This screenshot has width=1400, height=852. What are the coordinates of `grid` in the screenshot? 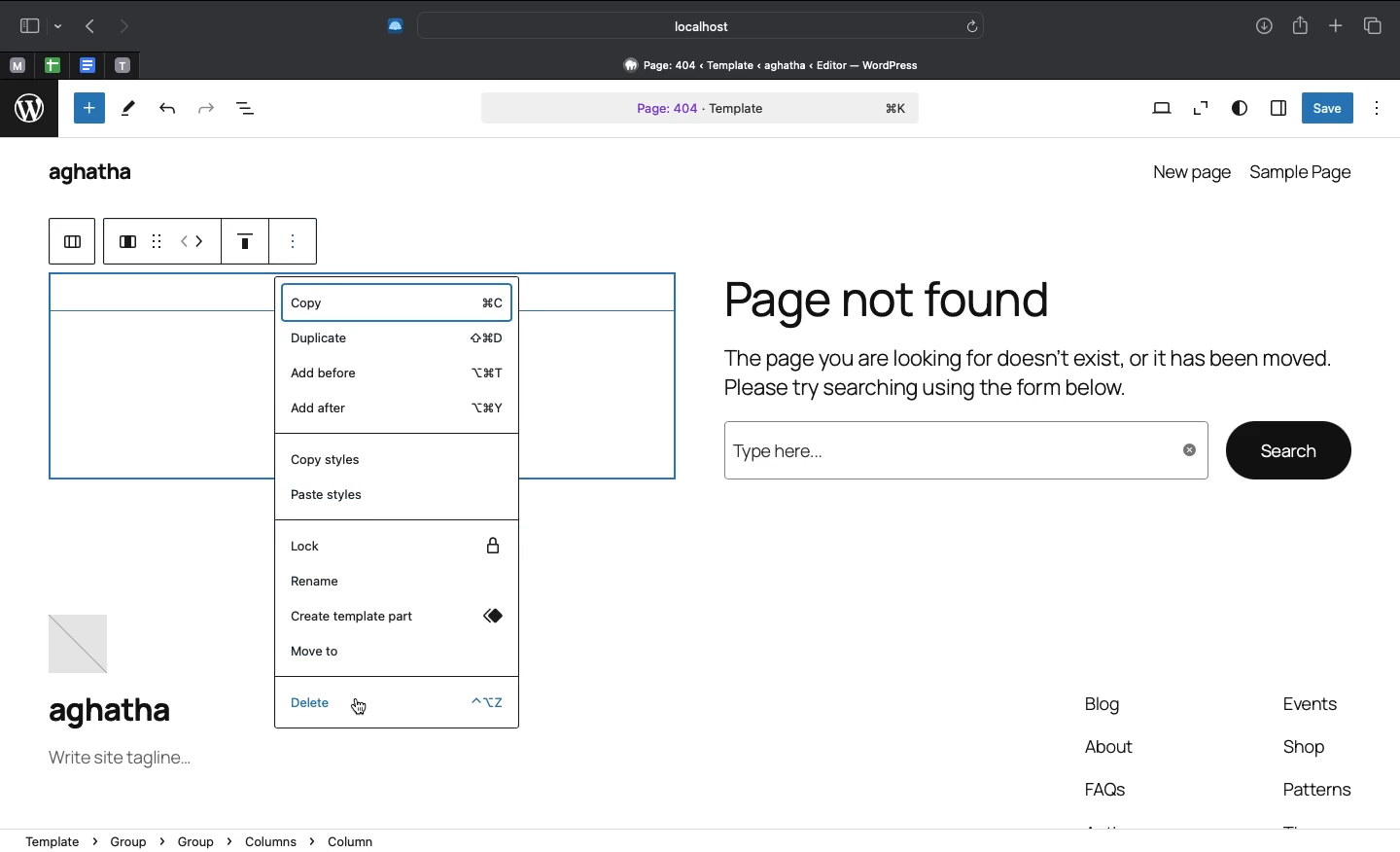 It's located at (156, 241).